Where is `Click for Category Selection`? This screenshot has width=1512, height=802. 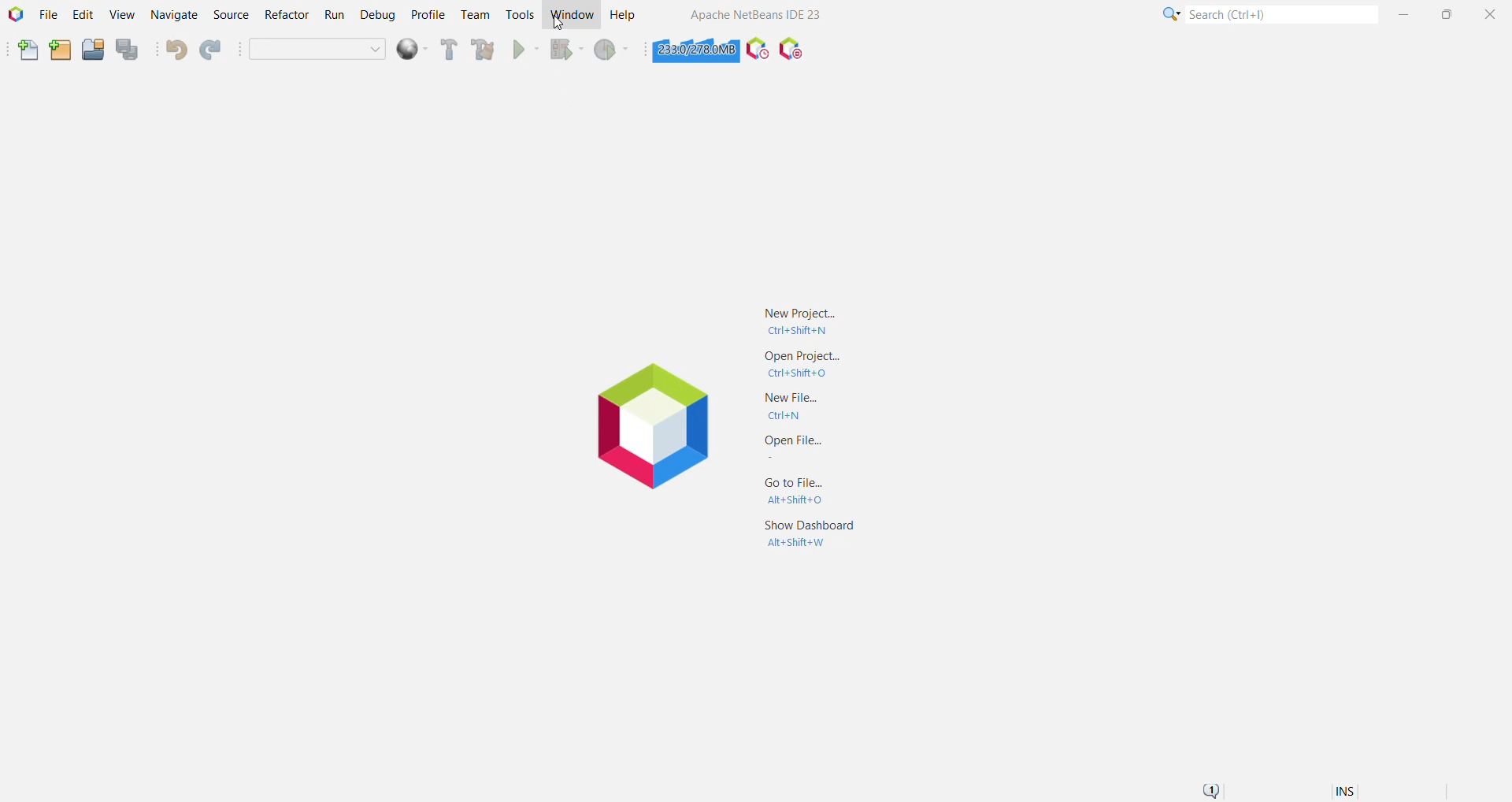
Click for Category Selection is located at coordinates (1167, 17).